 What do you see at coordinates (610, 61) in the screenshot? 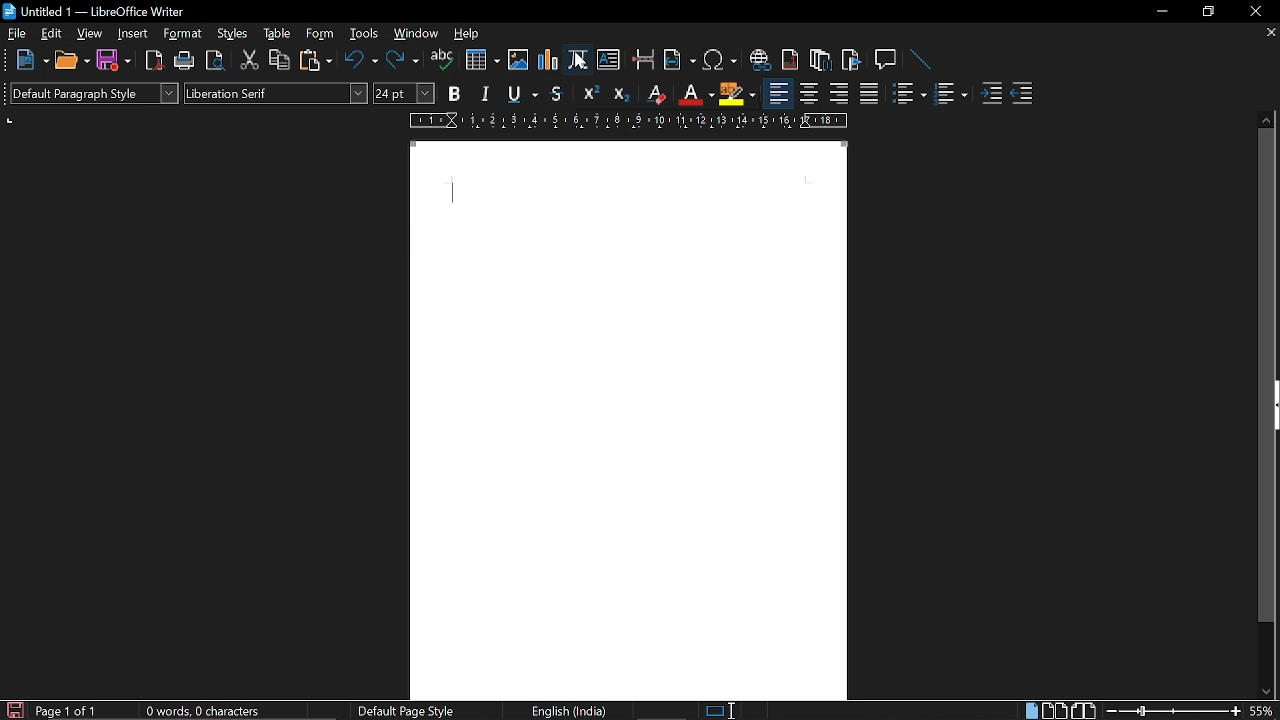
I see `insert text` at bounding box center [610, 61].